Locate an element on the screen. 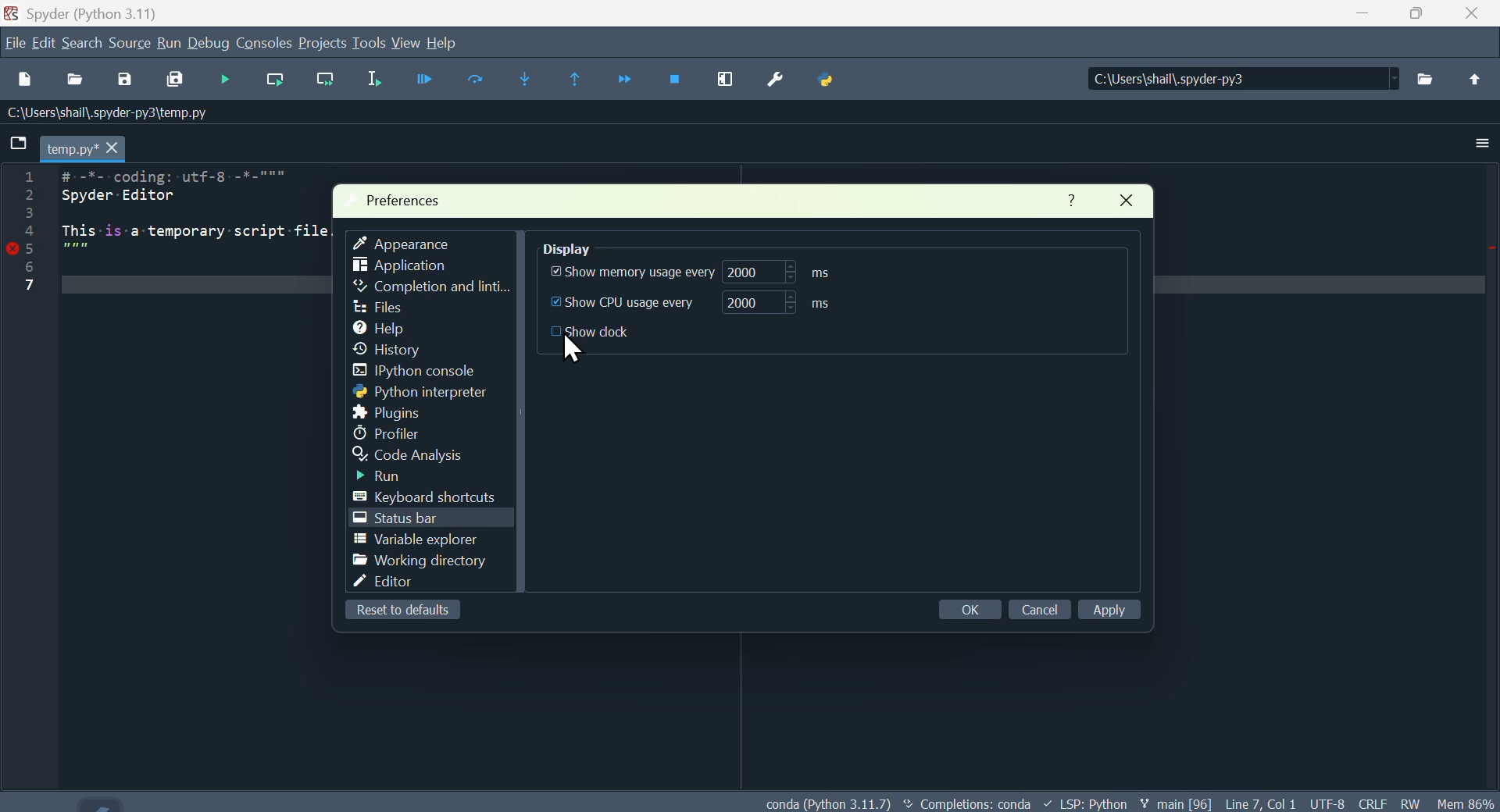  Step into function is located at coordinates (526, 77).